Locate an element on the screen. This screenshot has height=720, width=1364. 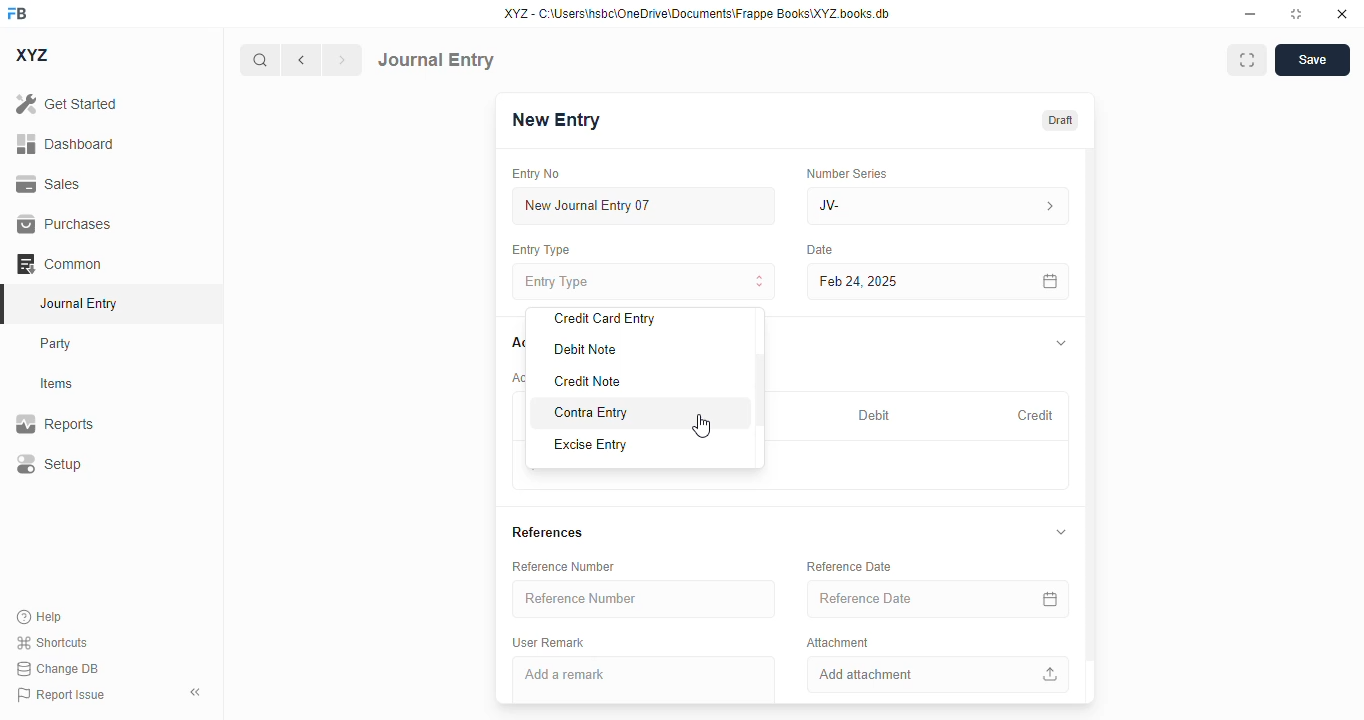
attachment is located at coordinates (838, 642).